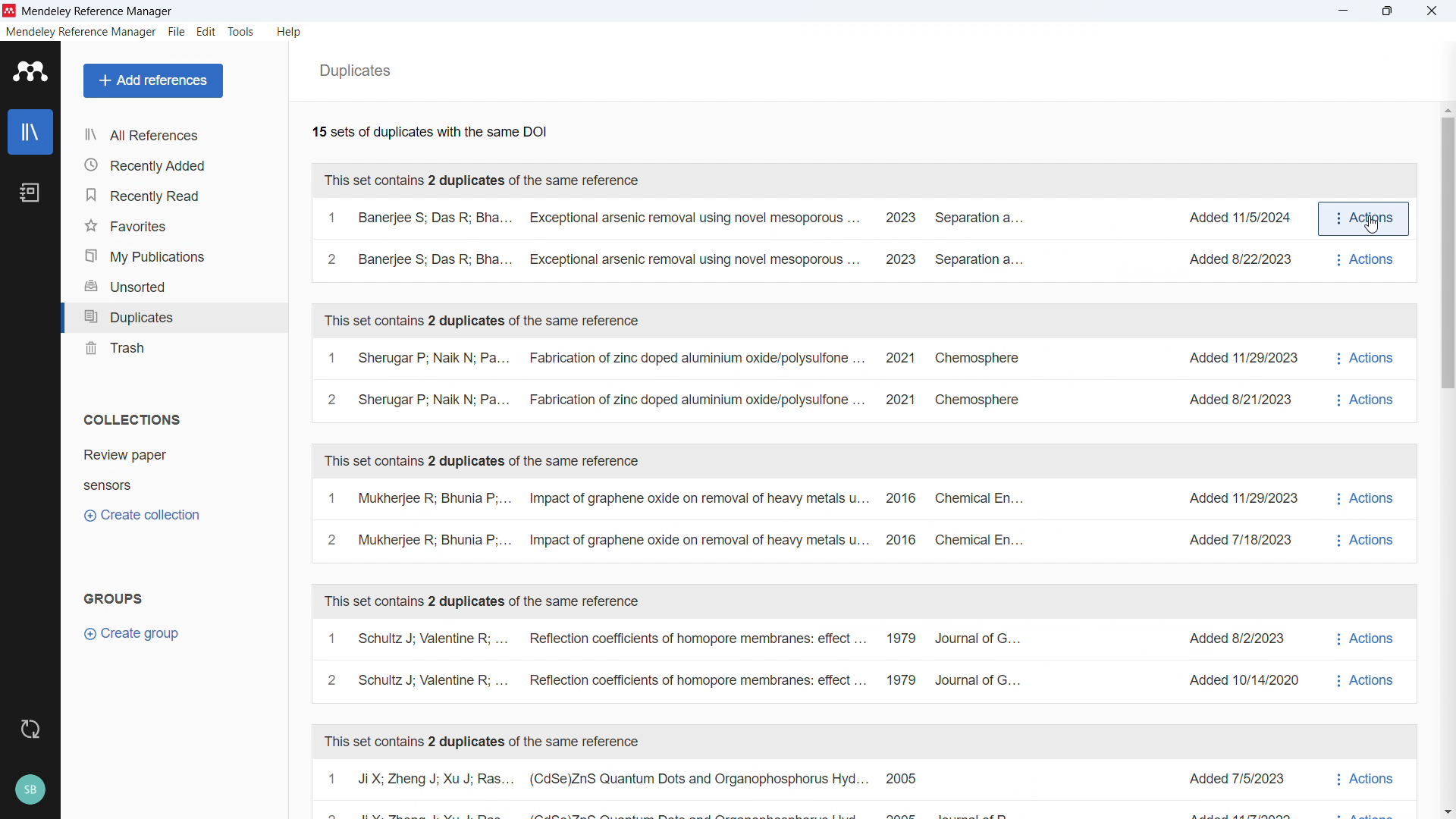  What do you see at coordinates (171, 165) in the screenshot?
I see `Recently added ` at bounding box center [171, 165].